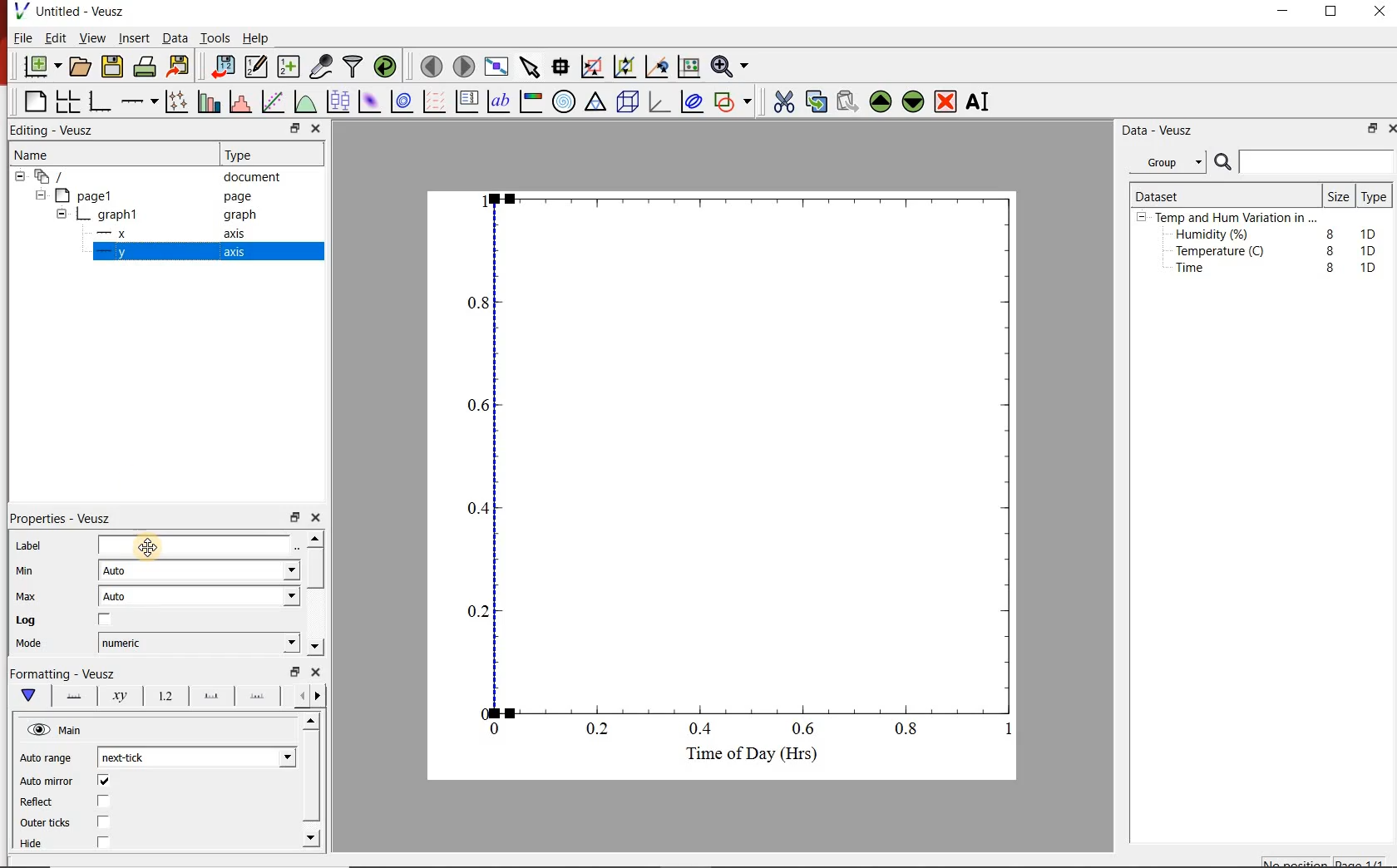 Image resolution: width=1397 pixels, height=868 pixels. Describe the element at coordinates (77, 621) in the screenshot. I see `Log` at that location.